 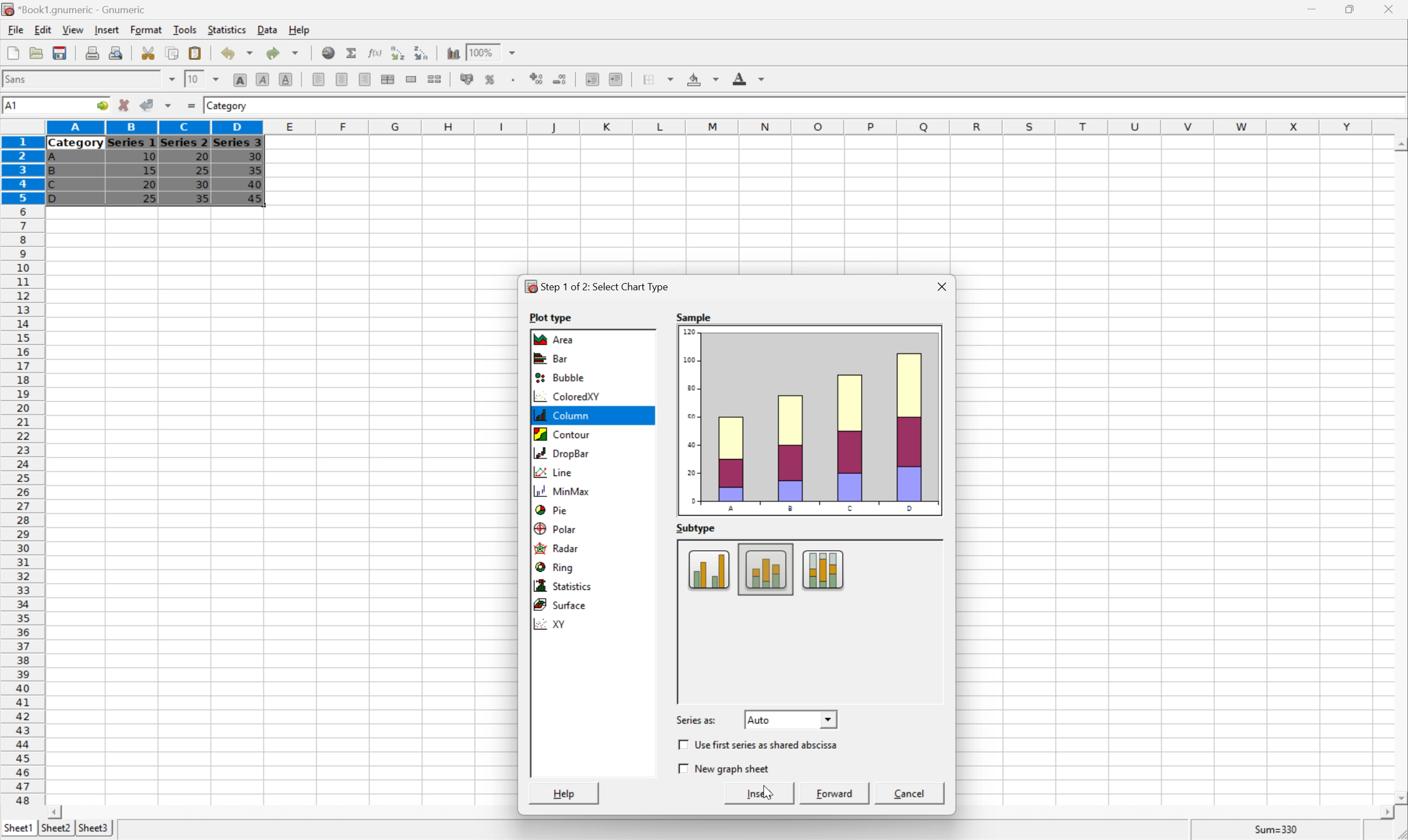 I want to click on Pie, so click(x=552, y=511).